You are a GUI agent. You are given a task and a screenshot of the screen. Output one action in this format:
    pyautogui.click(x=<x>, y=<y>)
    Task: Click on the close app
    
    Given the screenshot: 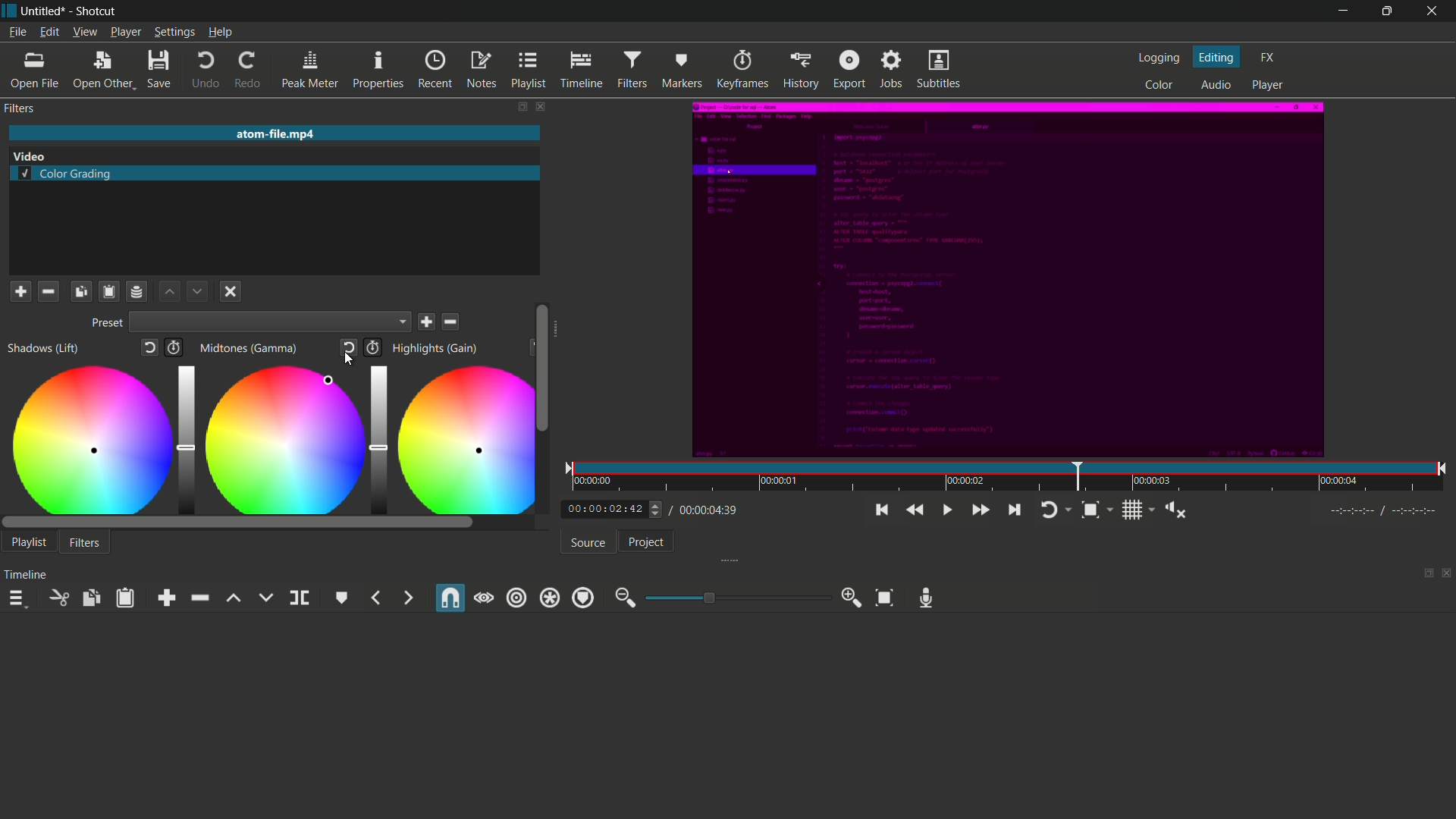 What is the action you would take?
    pyautogui.click(x=1433, y=11)
    